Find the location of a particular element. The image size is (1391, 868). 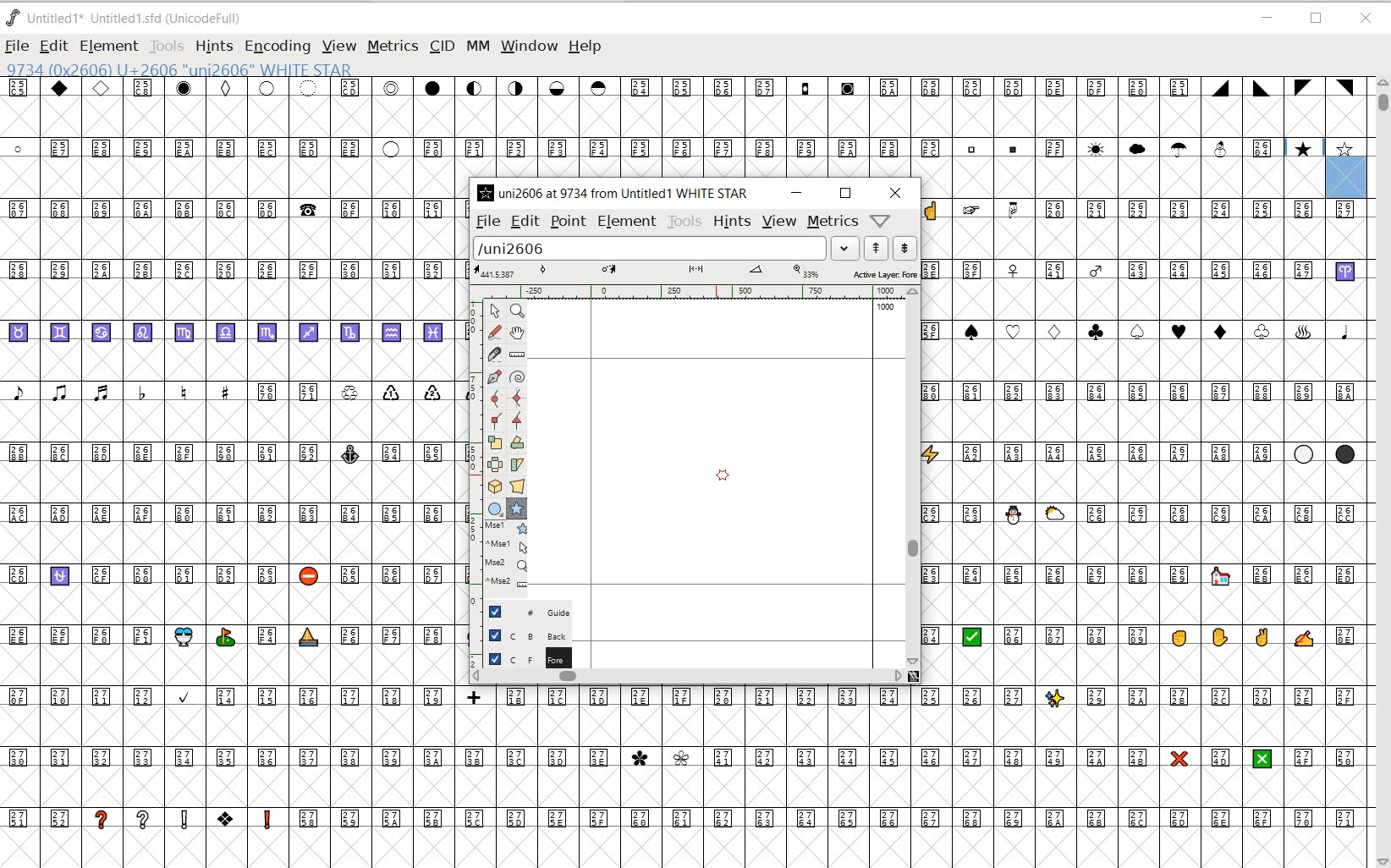

ENCODING is located at coordinates (276, 47).